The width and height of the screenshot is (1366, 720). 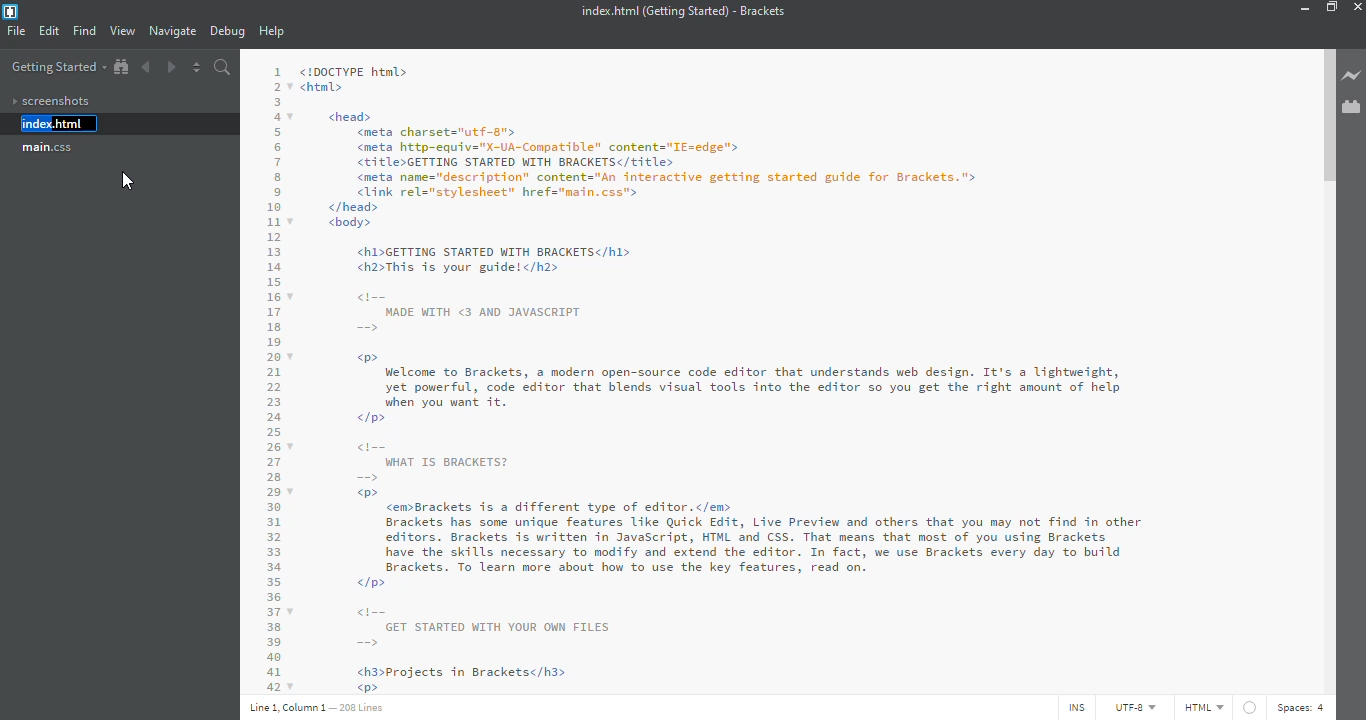 What do you see at coordinates (1352, 77) in the screenshot?
I see `live preview` at bounding box center [1352, 77].